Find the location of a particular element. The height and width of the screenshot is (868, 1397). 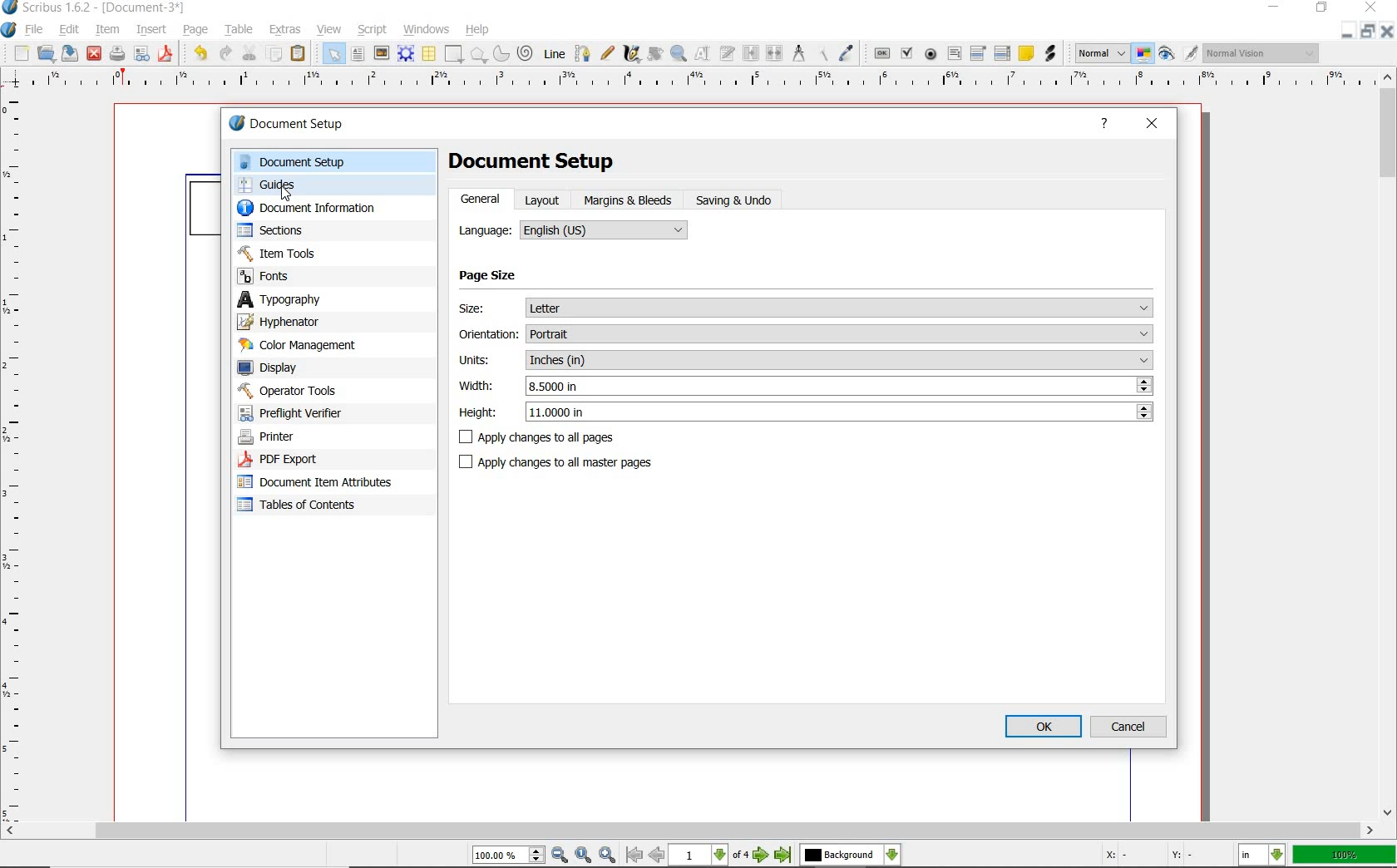

preflight verifier is located at coordinates (309, 413).